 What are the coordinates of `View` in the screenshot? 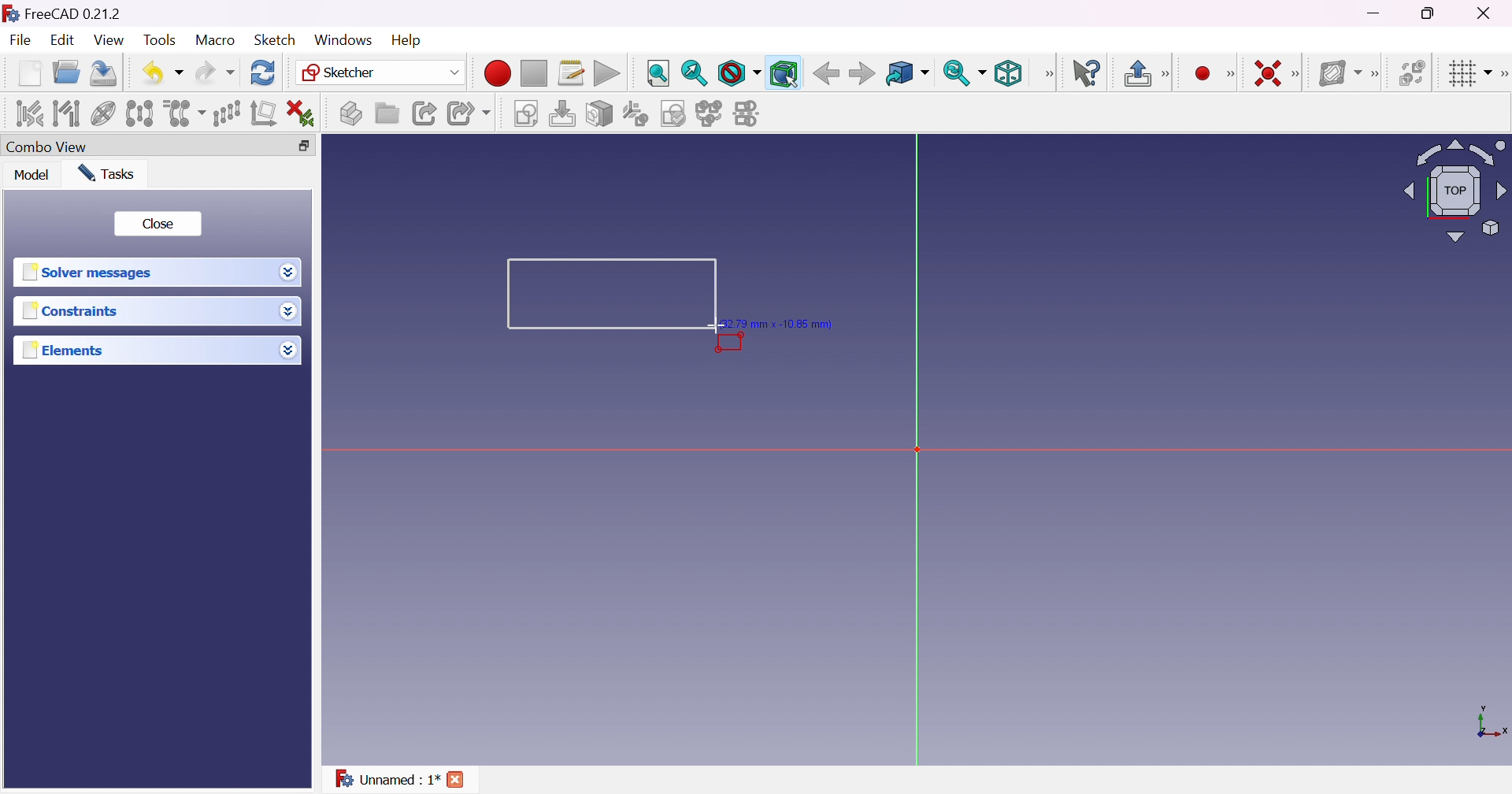 It's located at (1048, 75).